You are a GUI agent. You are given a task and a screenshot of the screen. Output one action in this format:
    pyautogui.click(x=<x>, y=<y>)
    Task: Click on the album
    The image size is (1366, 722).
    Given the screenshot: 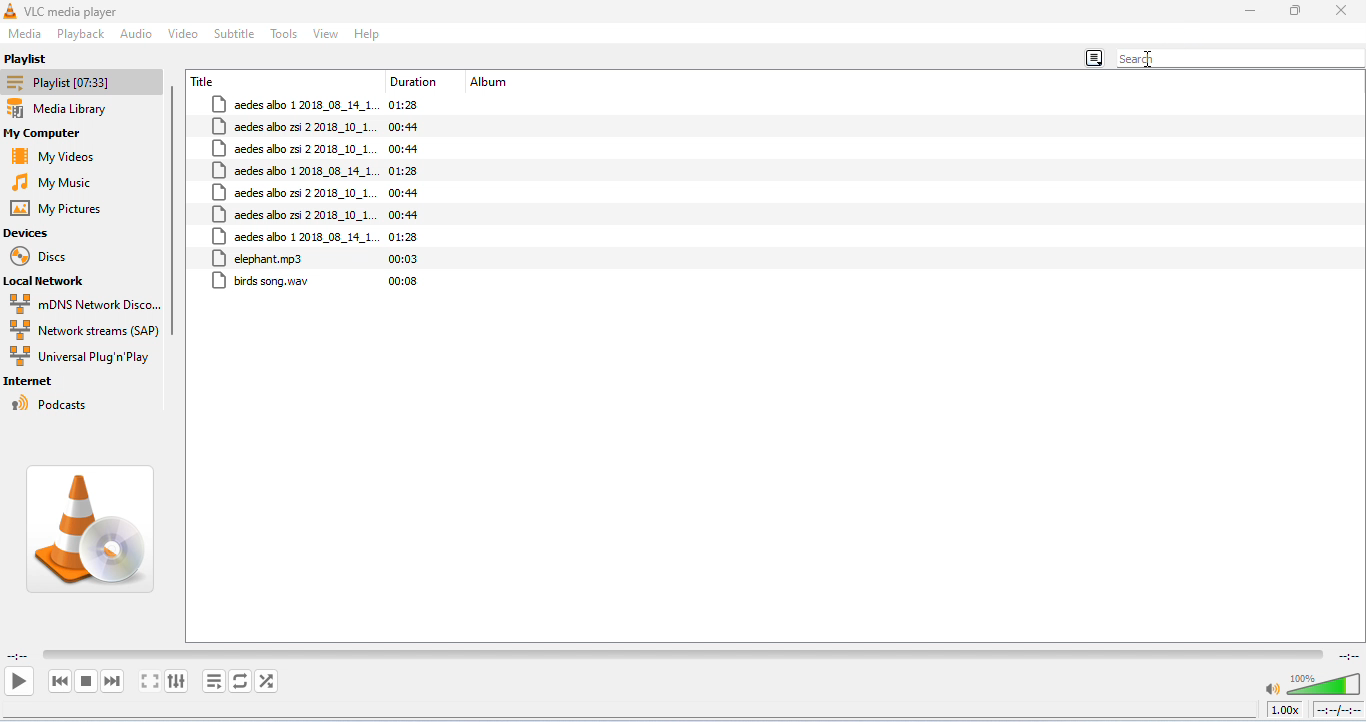 What is the action you would take?
    pyautogui.click(x=492, y=83)
    